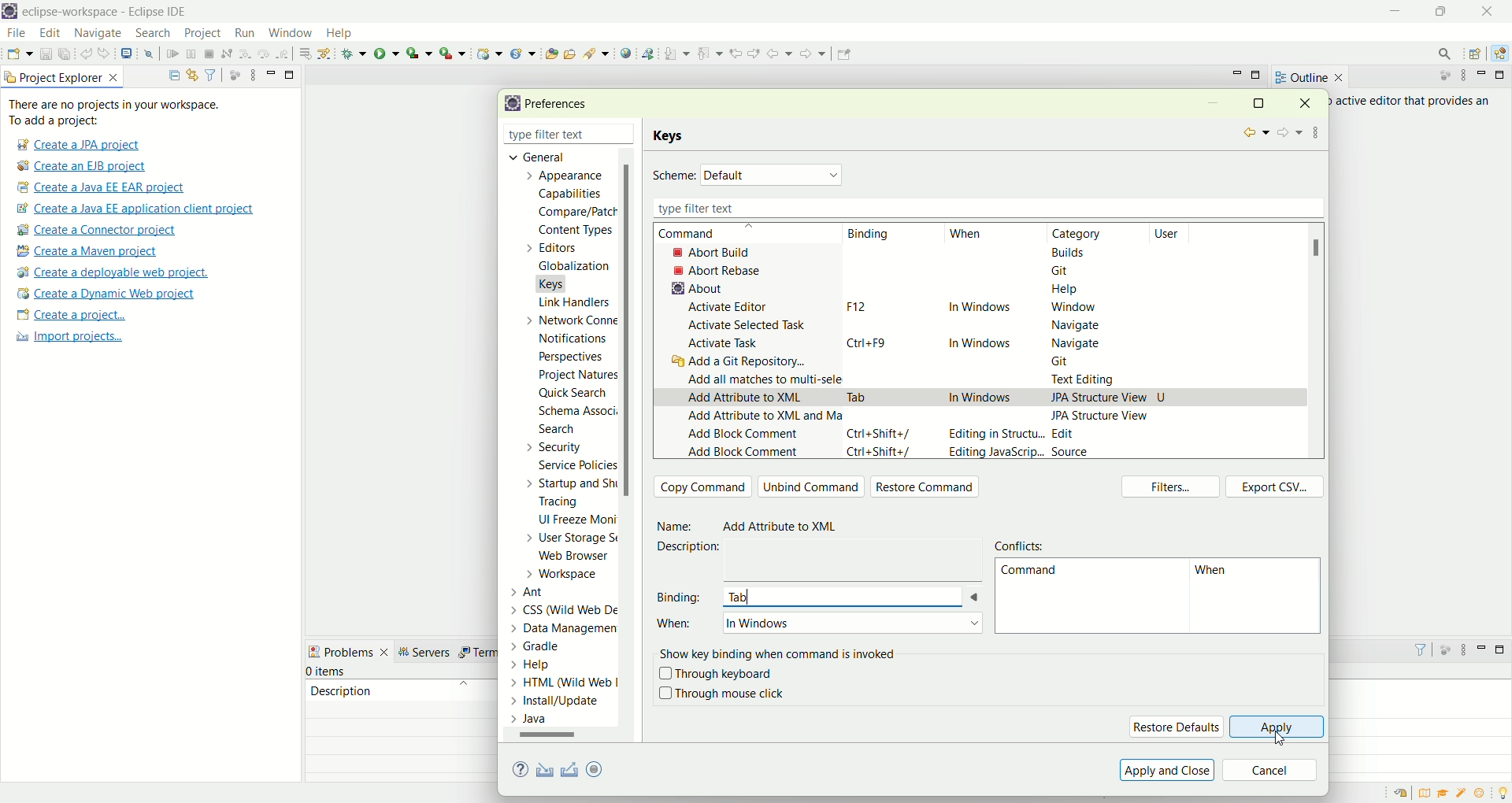  I want to click on help, so click(523, 771).